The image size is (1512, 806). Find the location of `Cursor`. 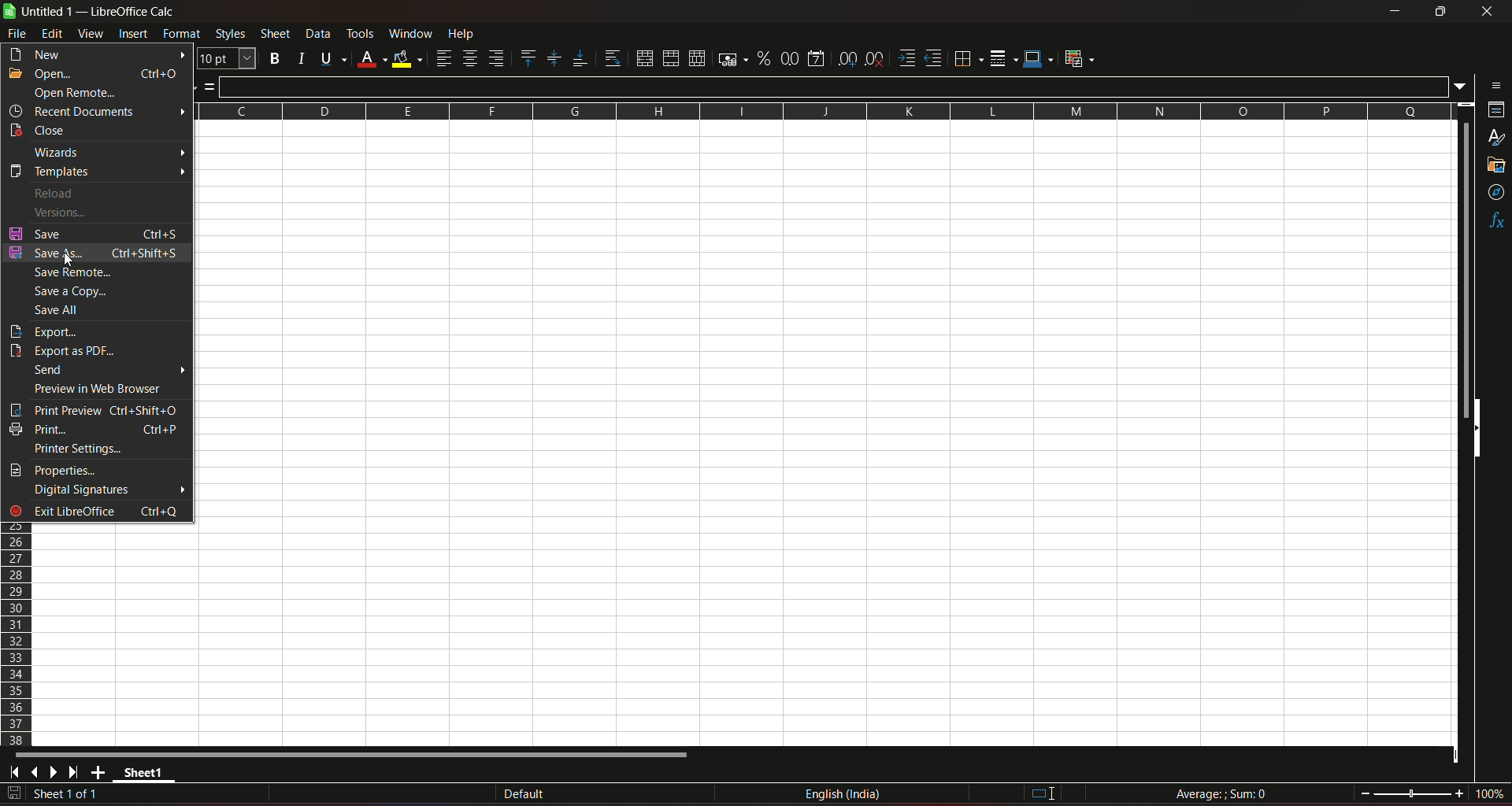

Cursor is located at coordinates (68, 261).